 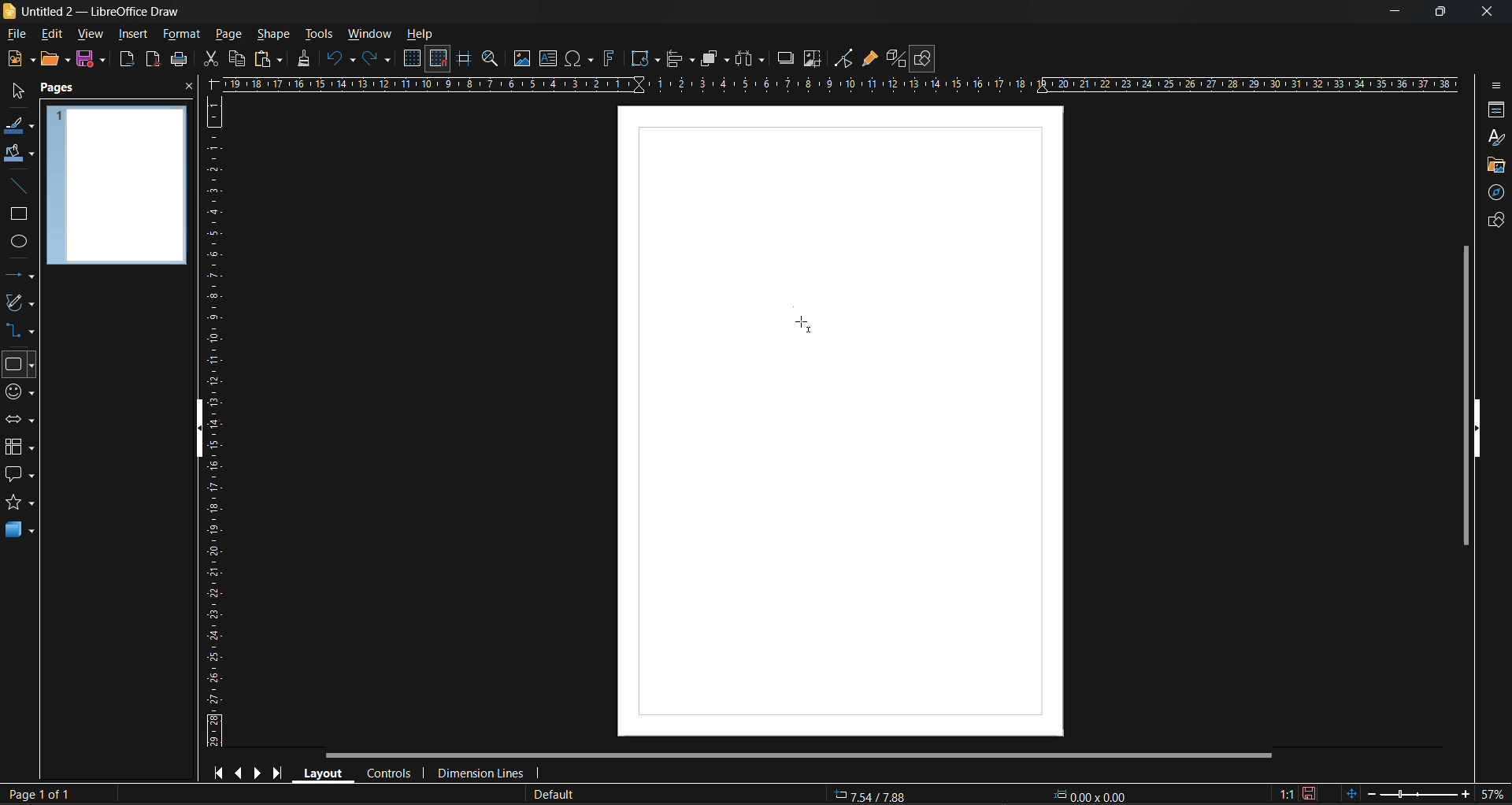 I want to click on zoom slider, so click(x=1416, y=793).